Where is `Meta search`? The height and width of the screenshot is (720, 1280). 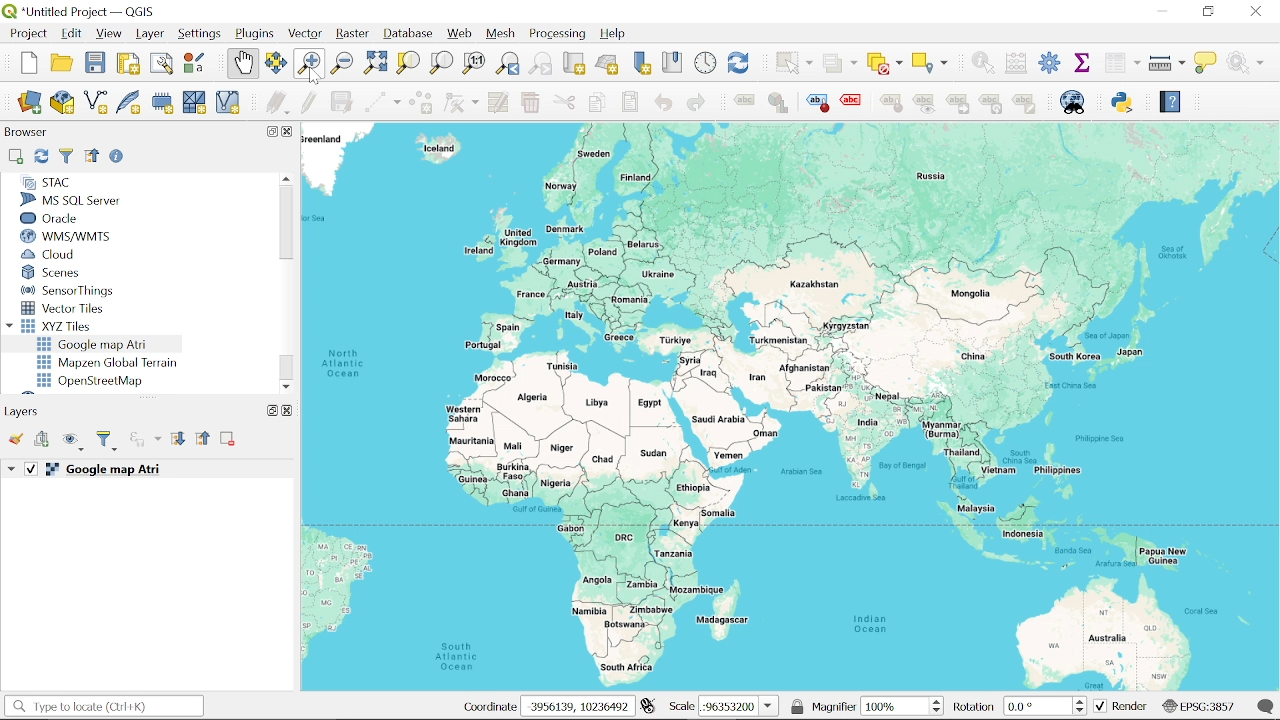
Meta search is located at coordinates (1073, 102).